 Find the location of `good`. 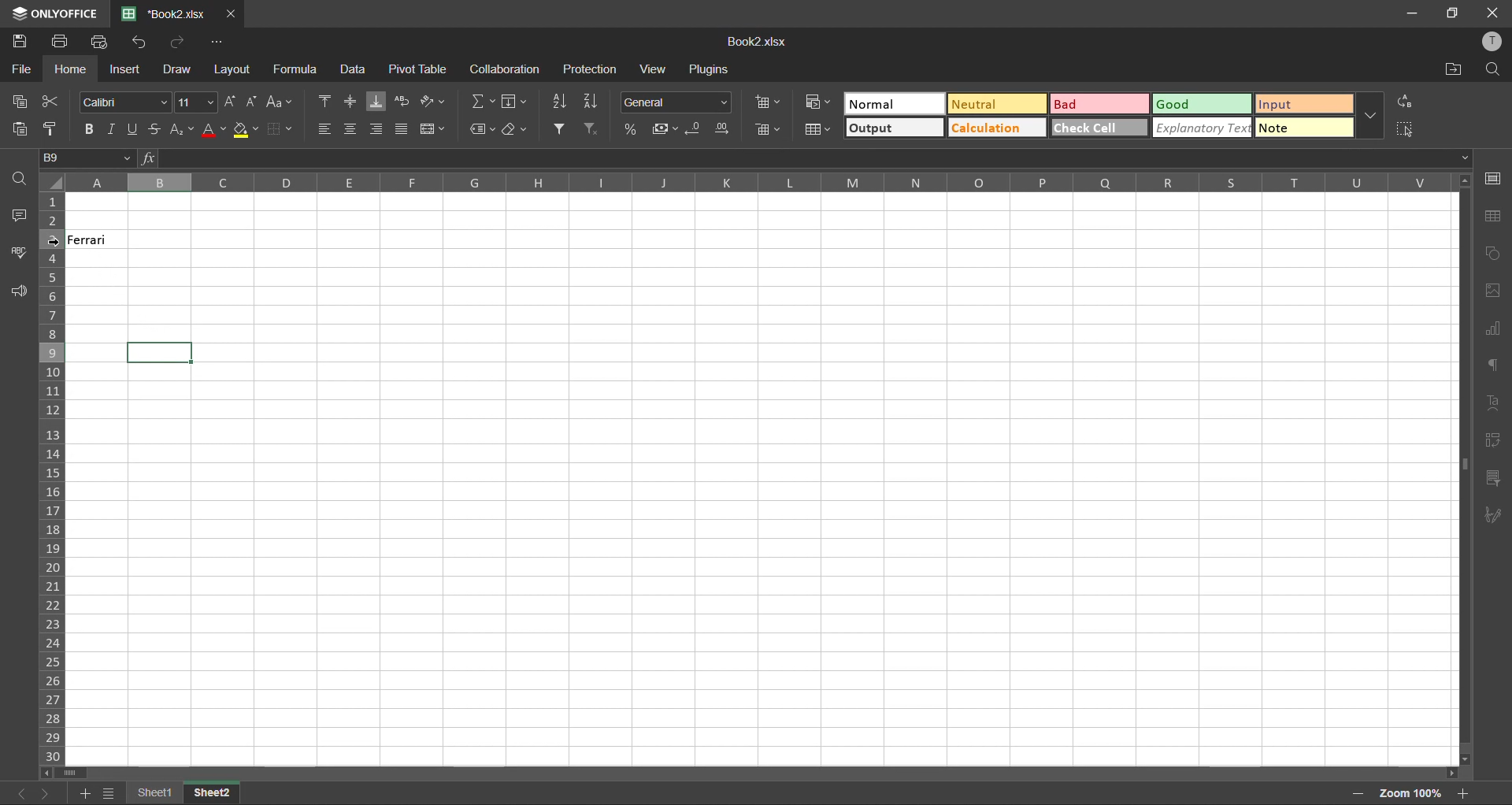

good is located at coordinates (1199, 105).